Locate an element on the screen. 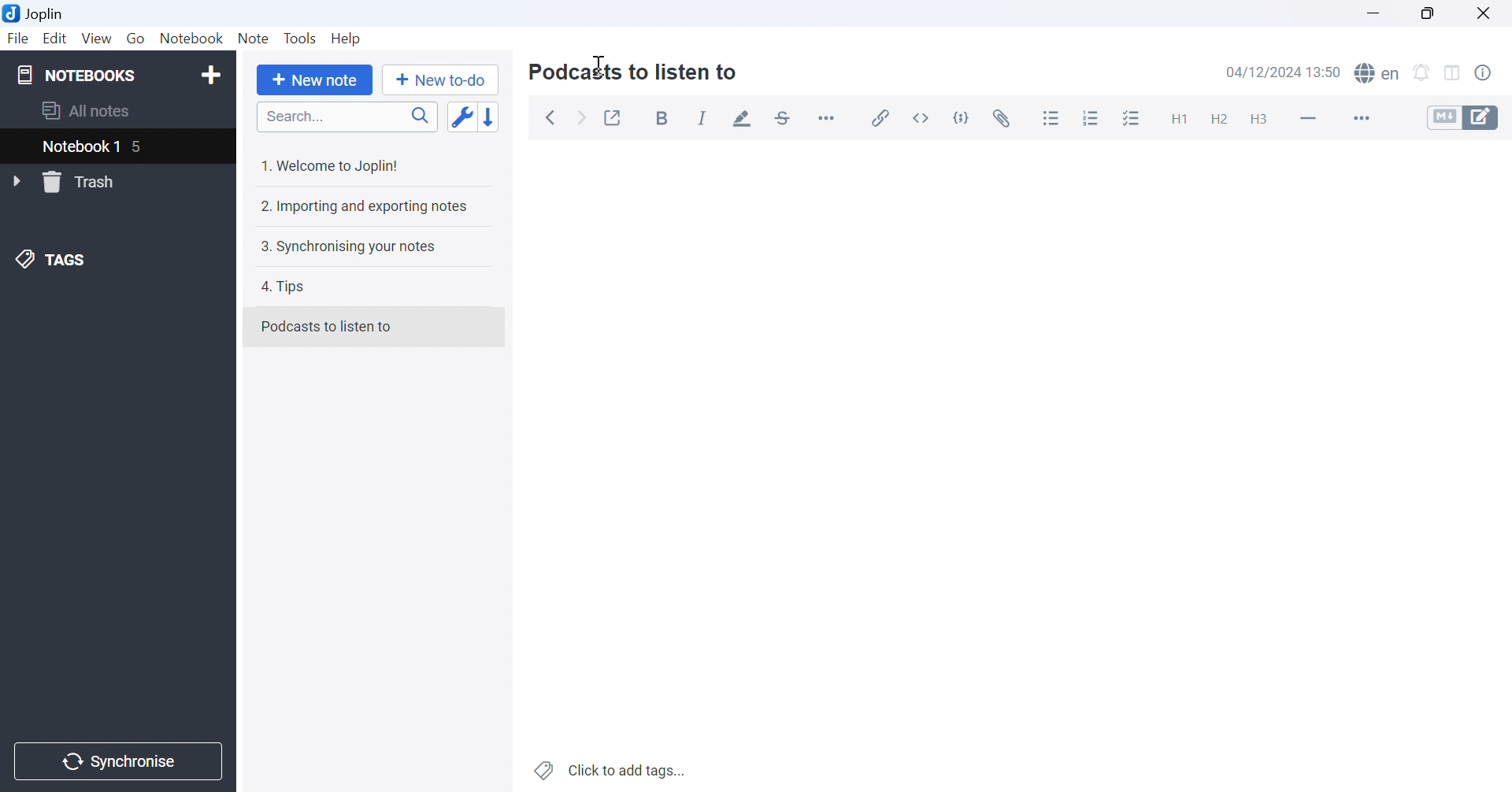 The width and height of the screenshot is (1512, 792). View is located at coordinates (97, 37).